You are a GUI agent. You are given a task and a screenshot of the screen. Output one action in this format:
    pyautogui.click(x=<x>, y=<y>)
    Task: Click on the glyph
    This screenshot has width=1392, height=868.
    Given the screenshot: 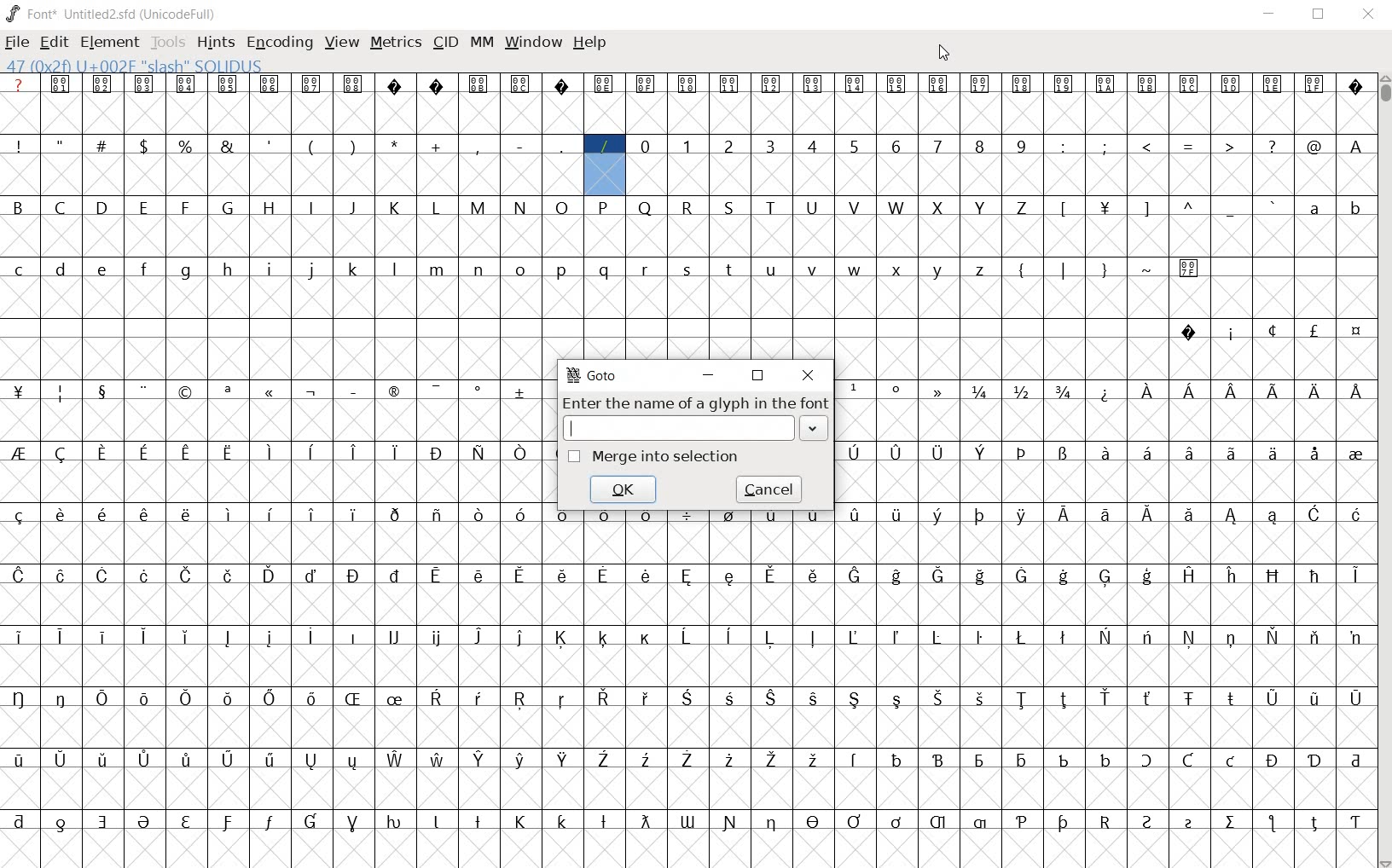 What is the action you would take?
    pyautogui.click(x=61, y=576)
    